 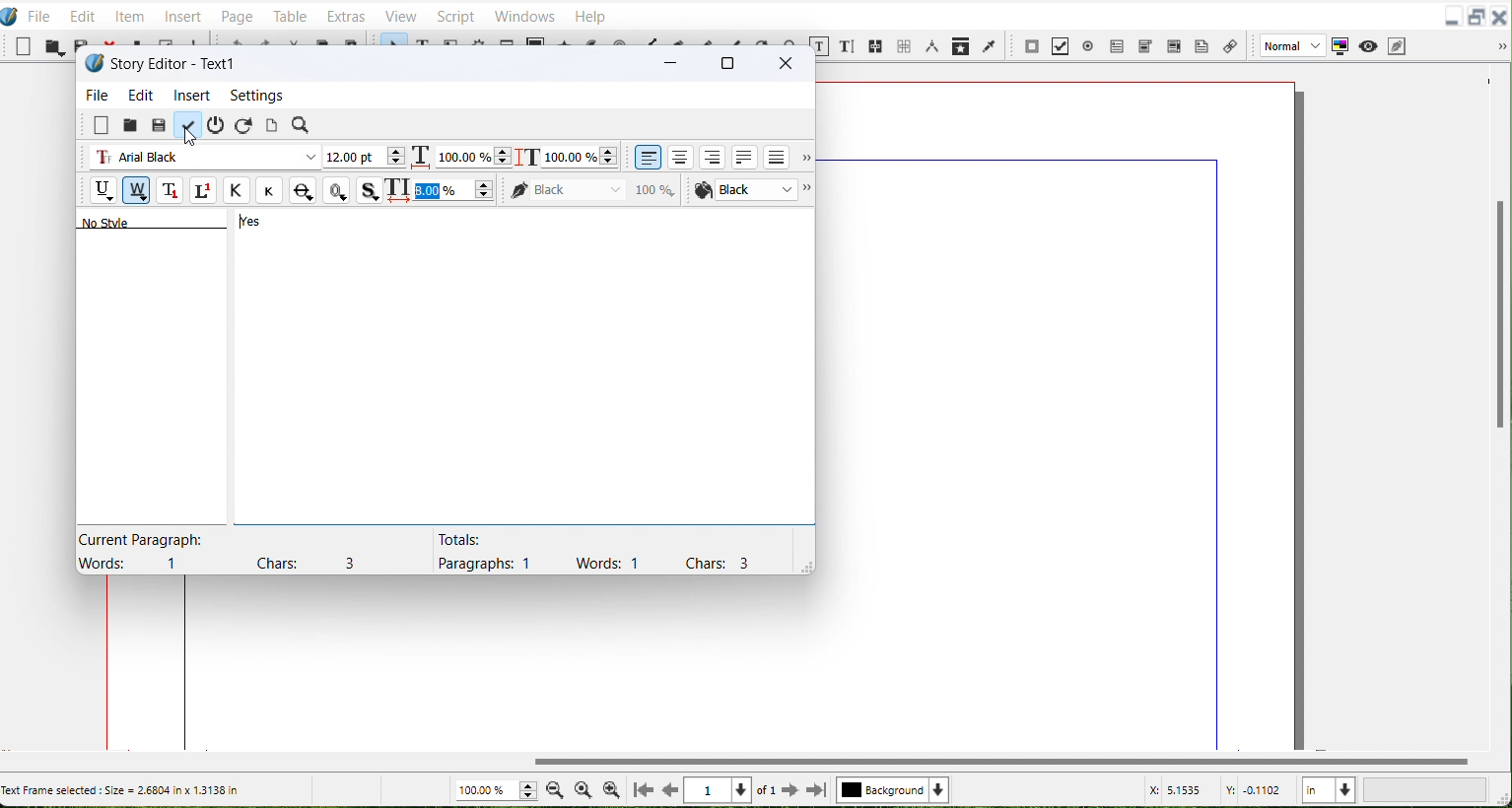 What do you see at coordinates (667, 60) in the screenshot?
I see `Minimize` at bounding box center [667, 60].